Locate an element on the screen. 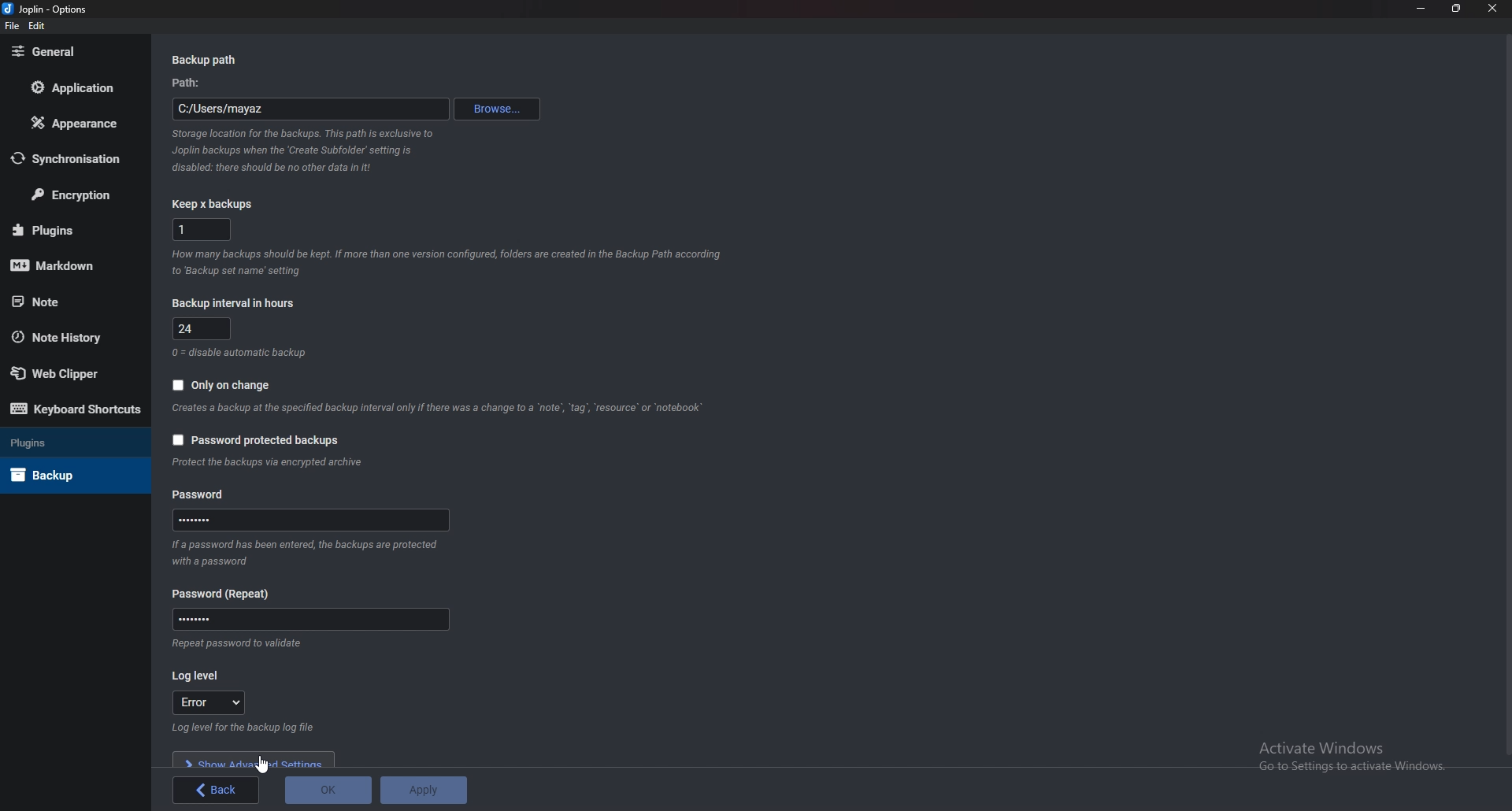 Image resolution: width=1512 pixels, height=811 pixels. close is located at coordinates (1495, 8).